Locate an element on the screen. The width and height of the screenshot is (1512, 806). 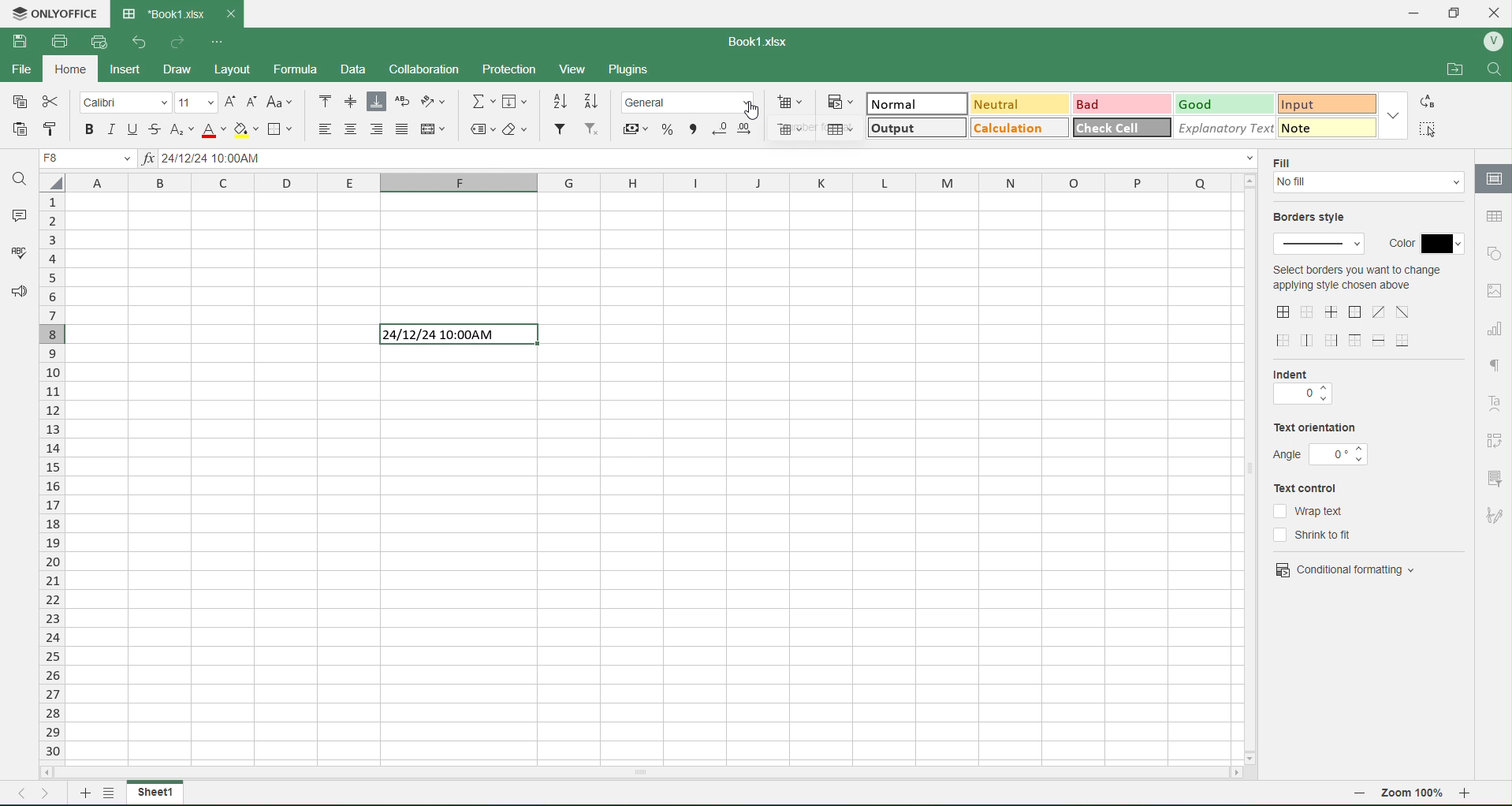
Save is located at coordinates (20, 42).